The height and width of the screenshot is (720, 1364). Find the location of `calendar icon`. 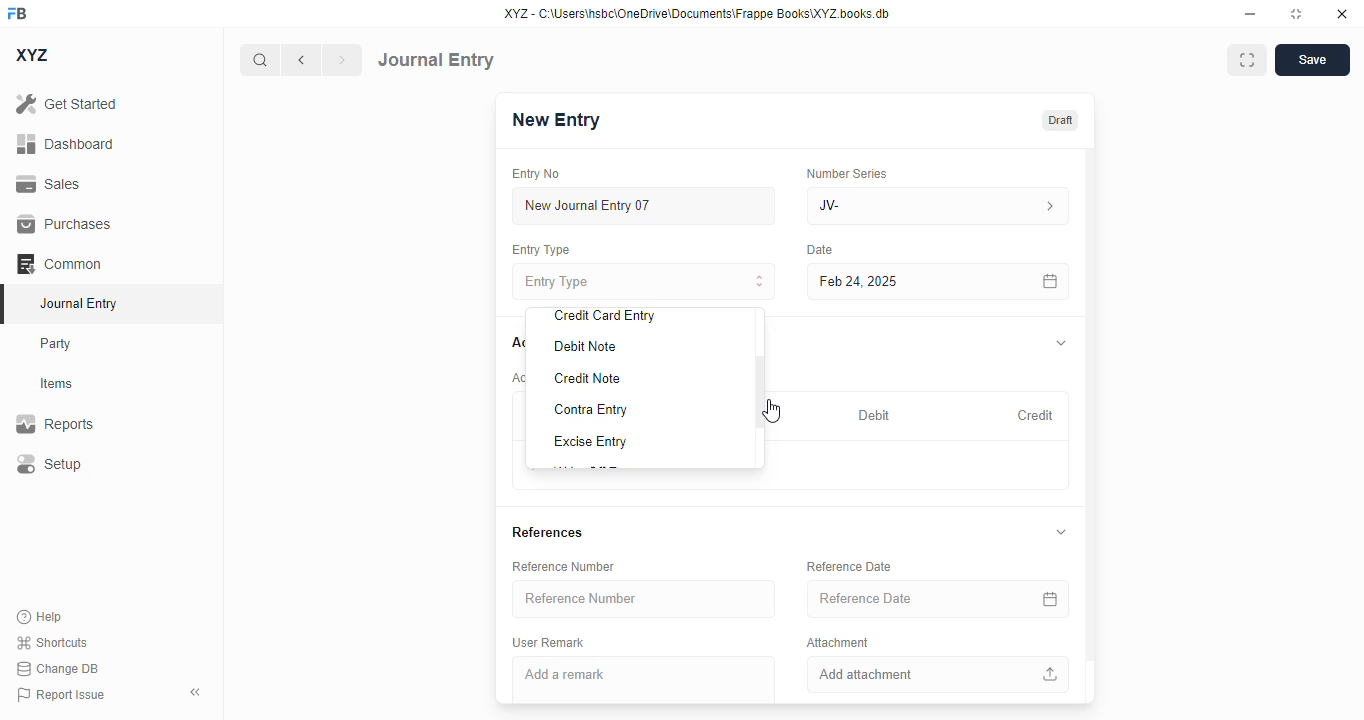

calendar icon is located at coordinates (1049, 599).